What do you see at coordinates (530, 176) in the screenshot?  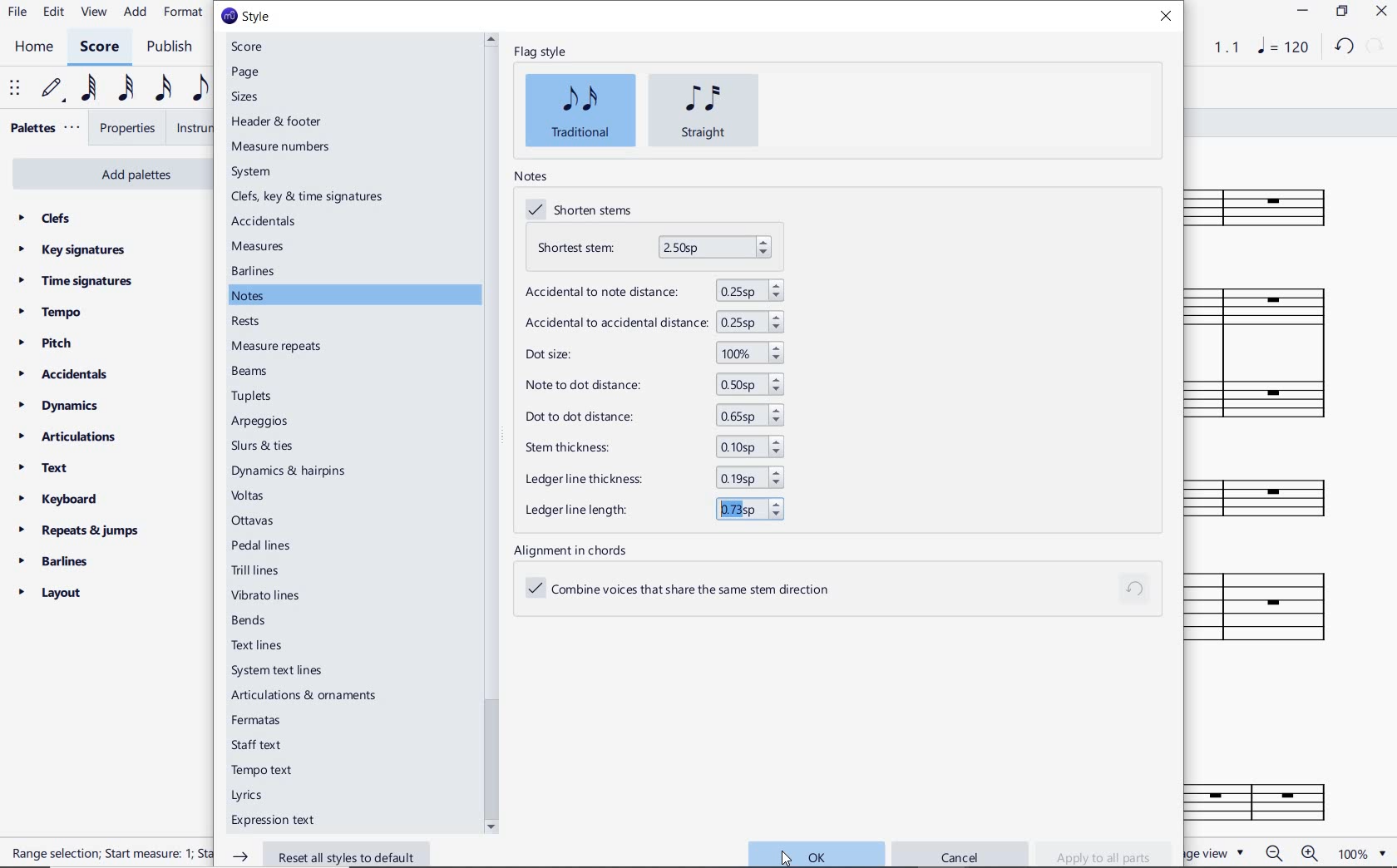 I see `notes` at bounding box center [530, 176].